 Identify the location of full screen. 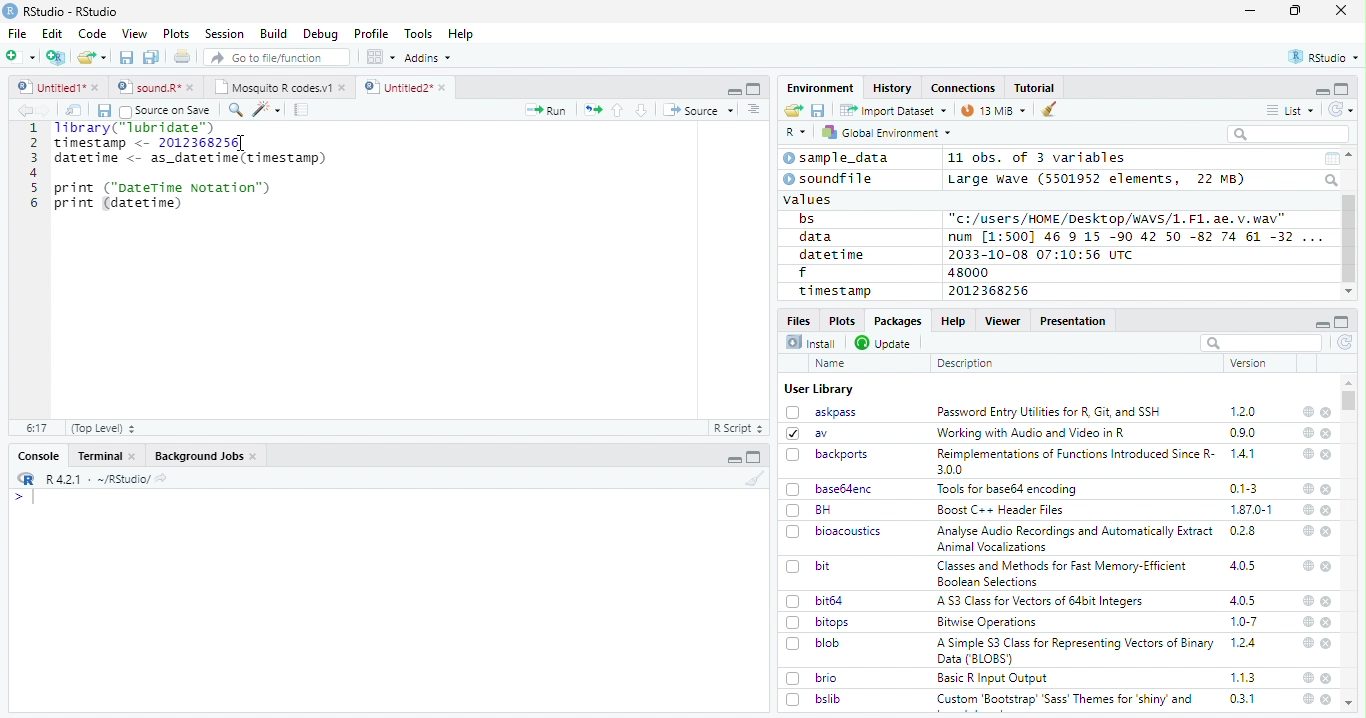
(1342, 322).